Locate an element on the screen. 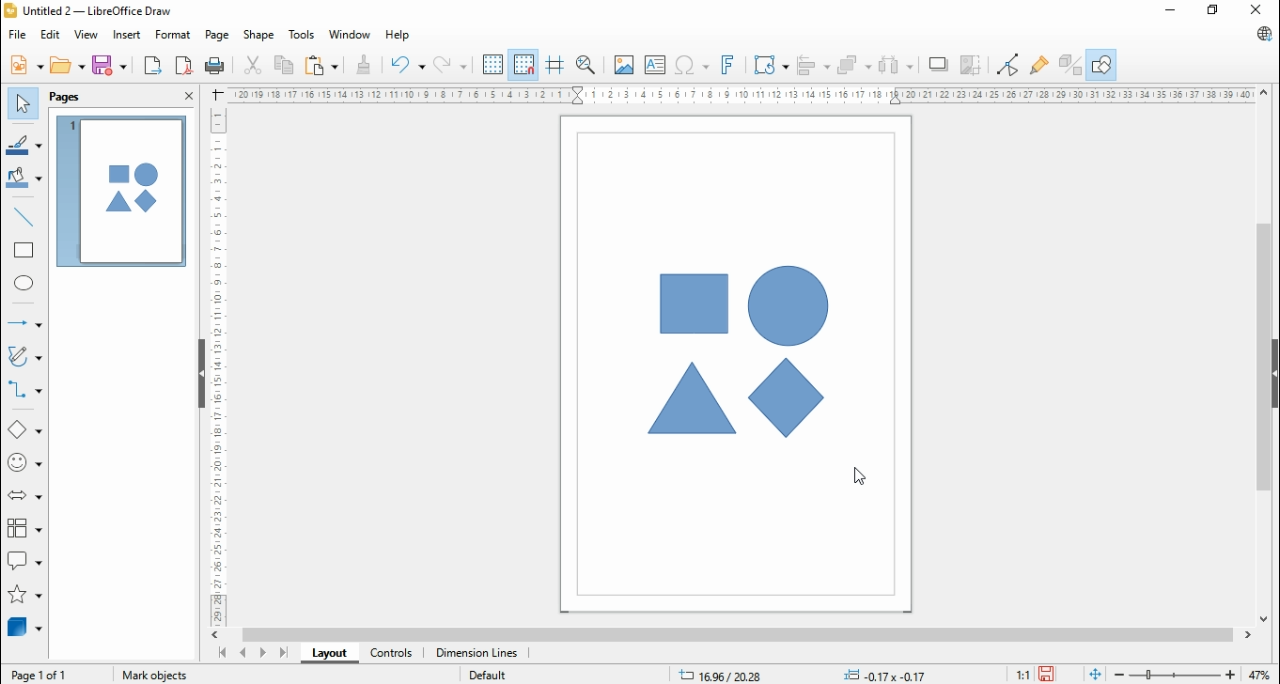  print is located at coordinates (215, 66).